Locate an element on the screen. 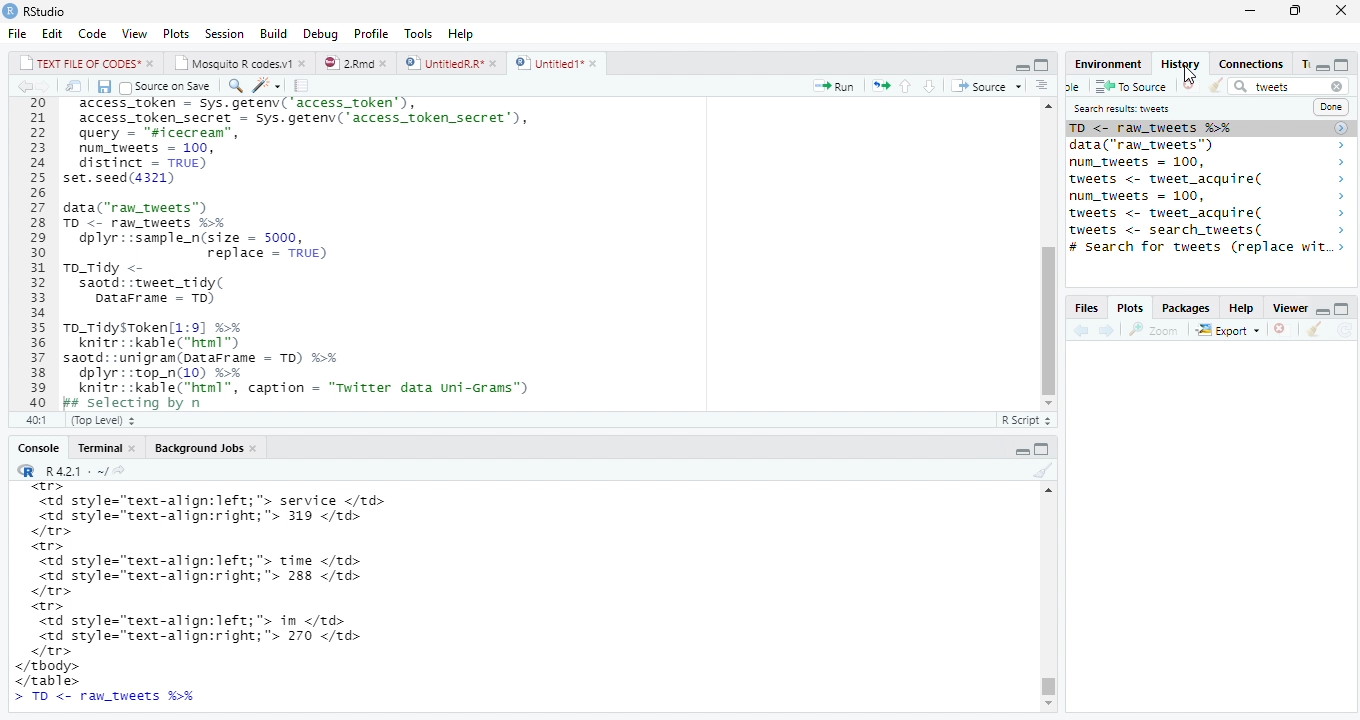  Help is located at coordinates (462, 33).